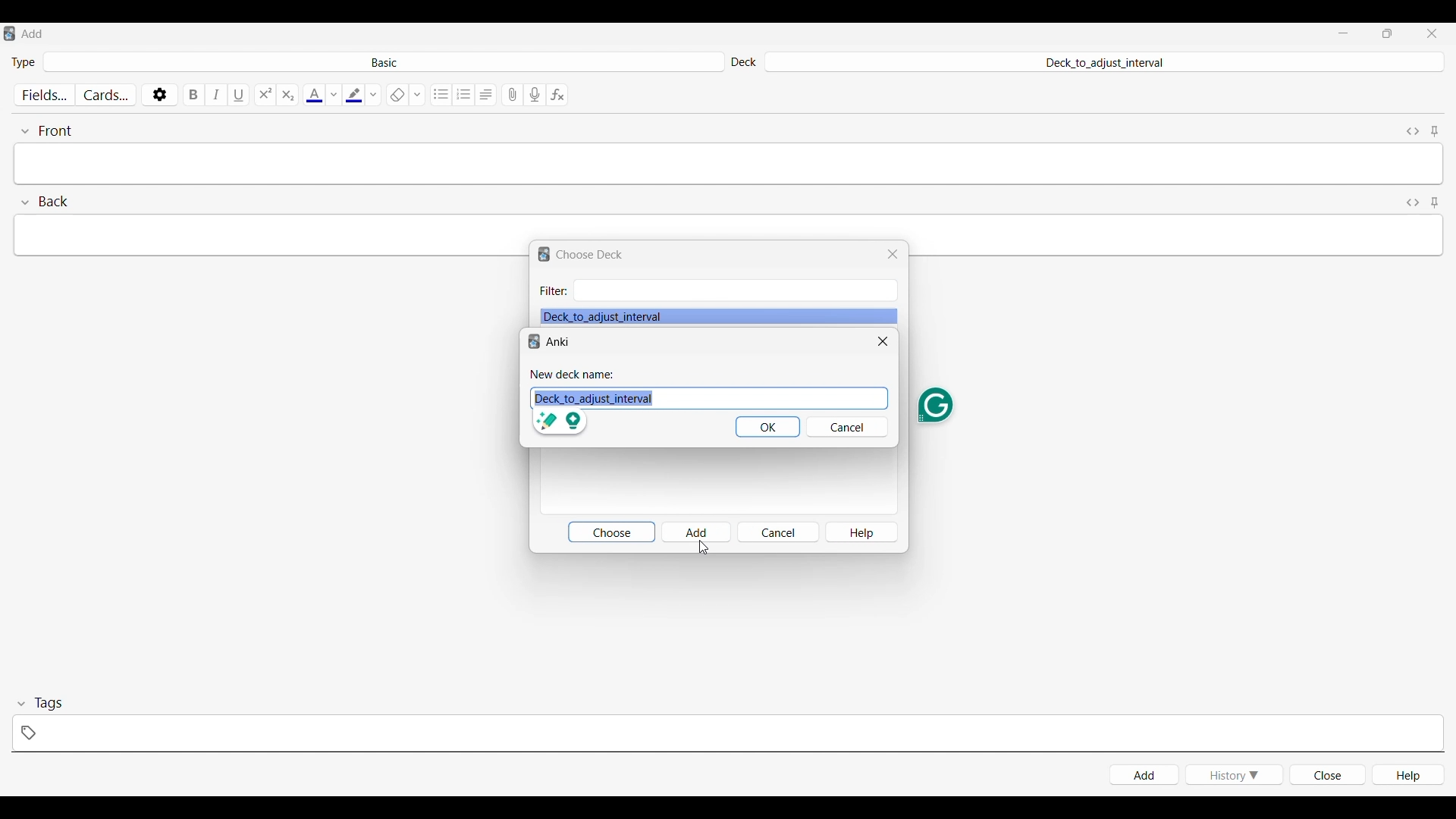 Image resolution: width=1456 pixels, height=819 pixels. I want to click on Software name and logo, so click(550, 341).